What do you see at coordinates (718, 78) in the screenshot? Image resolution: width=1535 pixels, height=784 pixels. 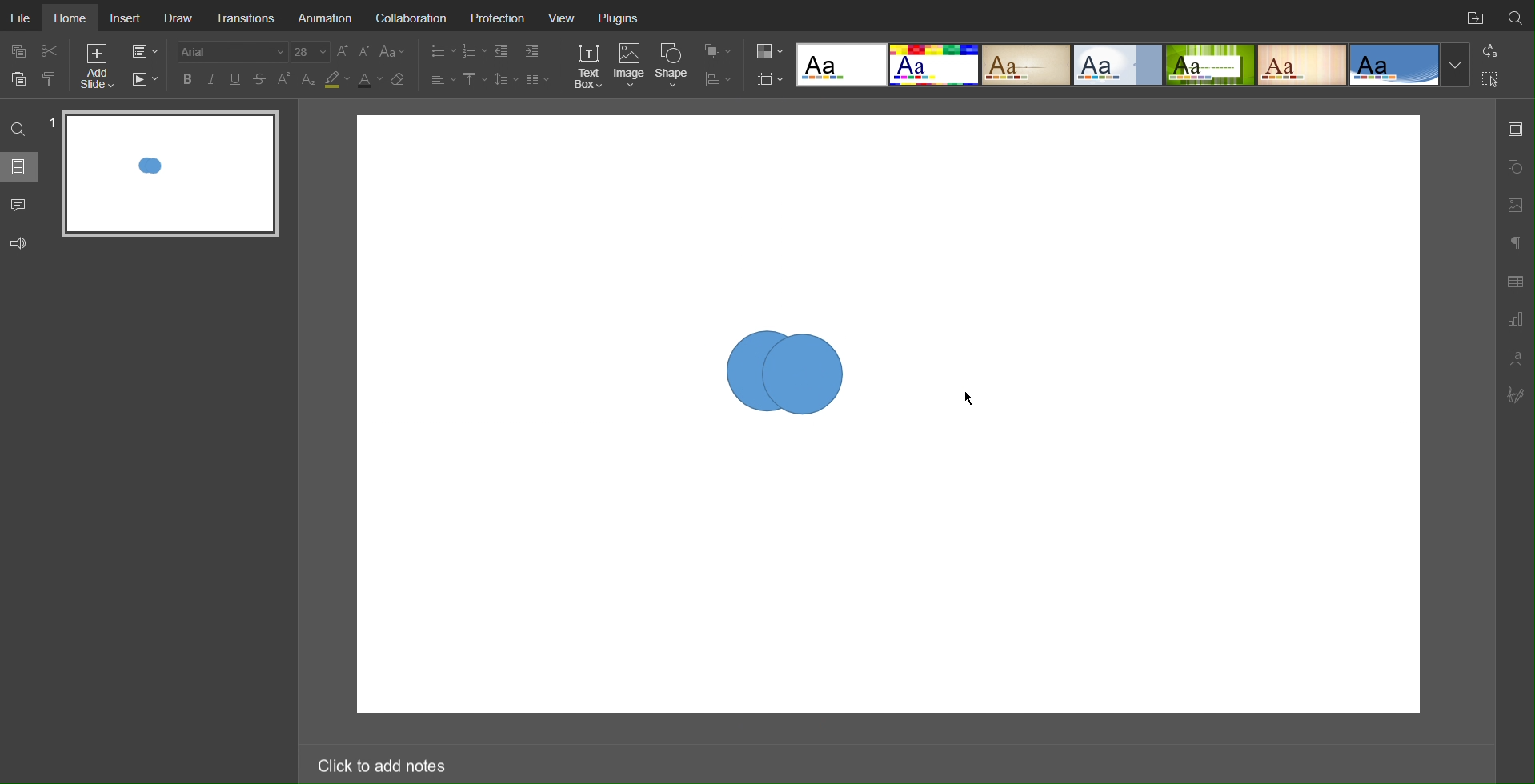 I see `Distribution` at bounding box center [718, 78].